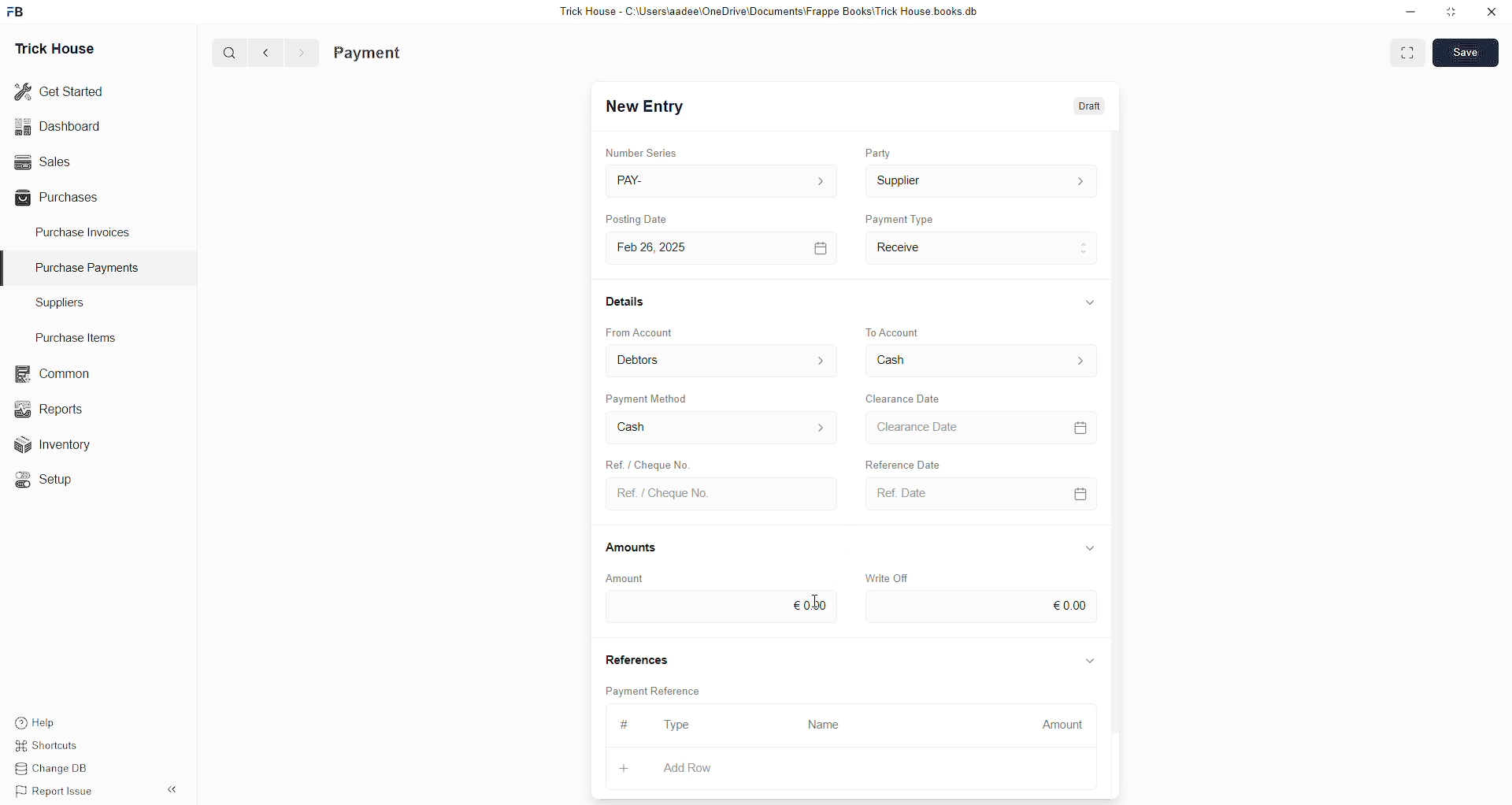  I want to click on forward, so click(301, 53).